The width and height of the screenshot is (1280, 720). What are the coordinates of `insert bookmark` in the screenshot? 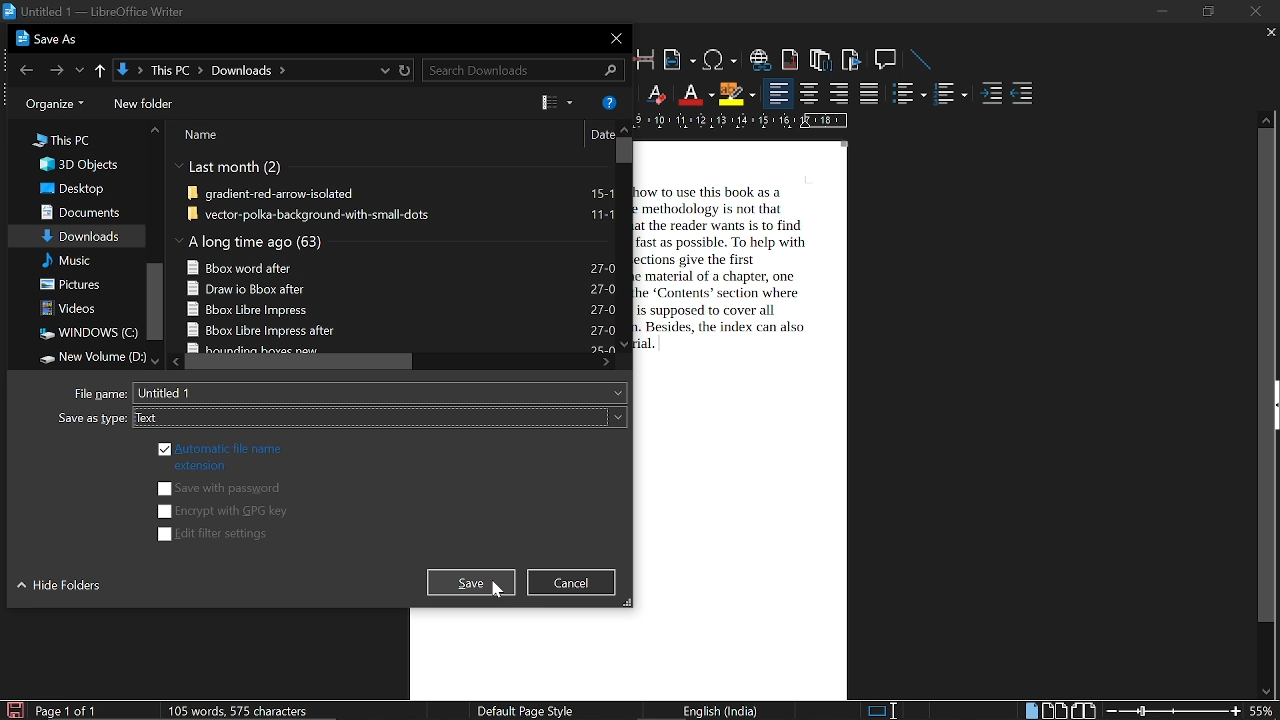 It's located at (853, 60).